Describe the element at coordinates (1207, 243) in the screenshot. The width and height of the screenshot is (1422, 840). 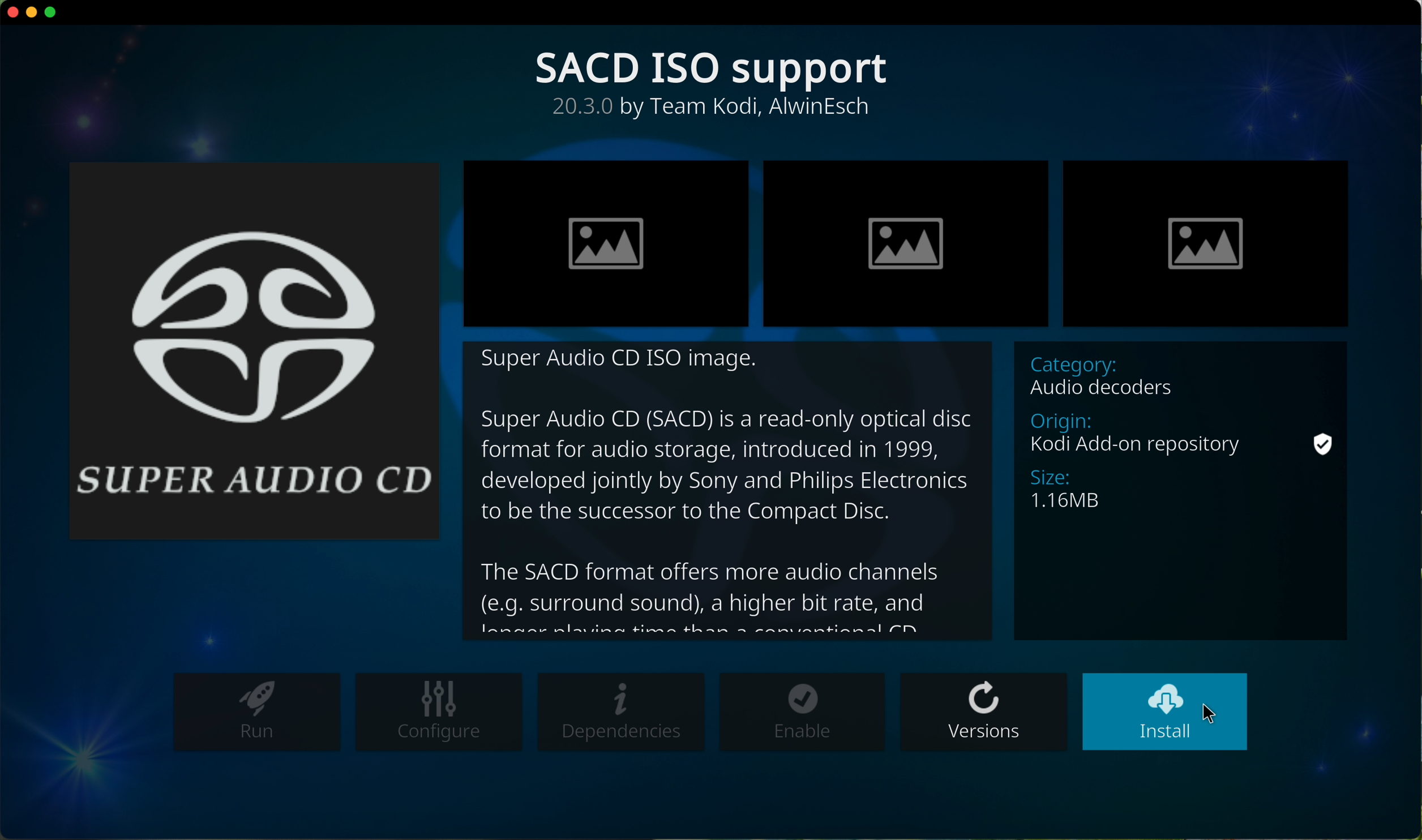
I see `image` at that location.